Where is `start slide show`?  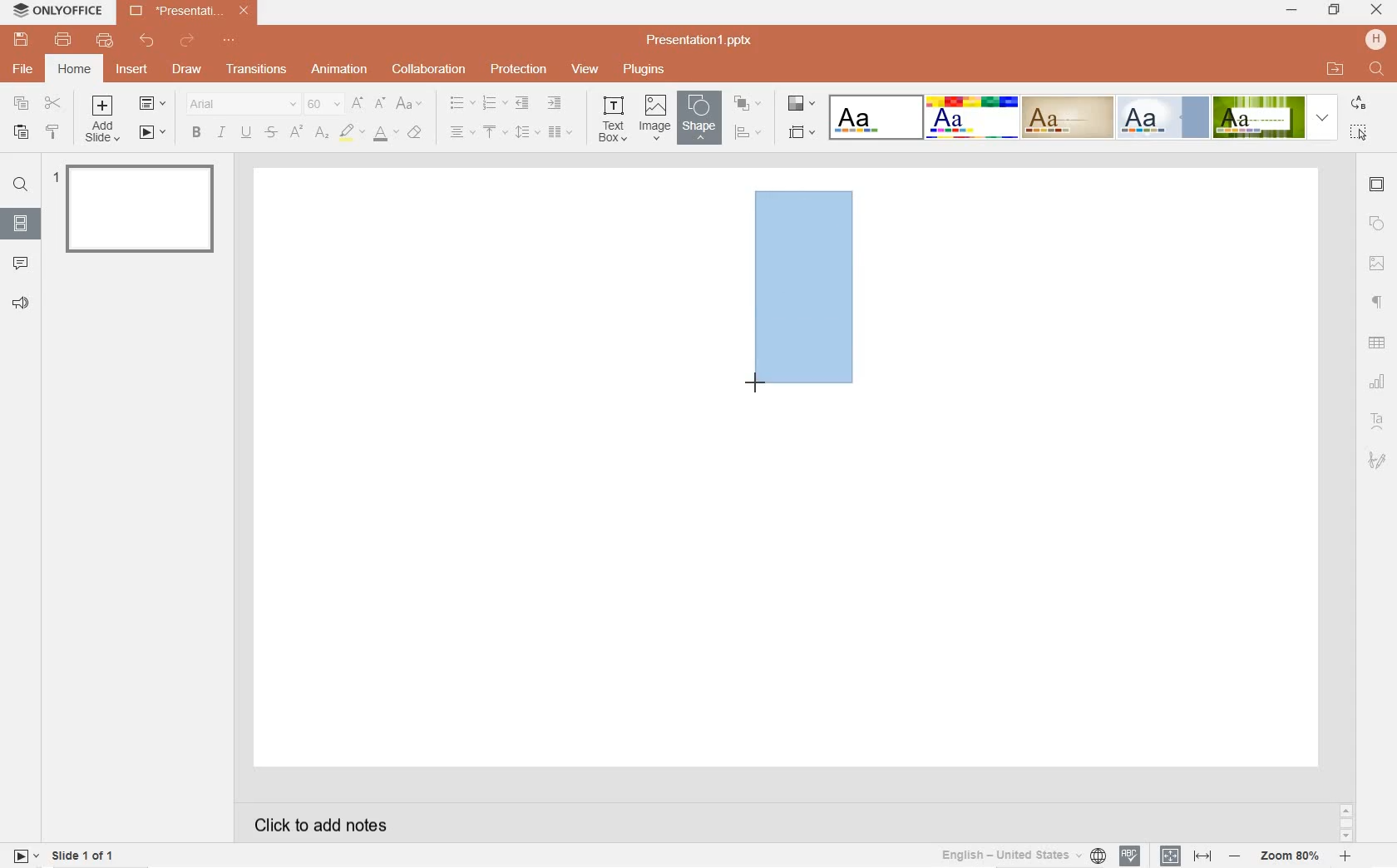
start slide show is located at coordinates (153, 133).